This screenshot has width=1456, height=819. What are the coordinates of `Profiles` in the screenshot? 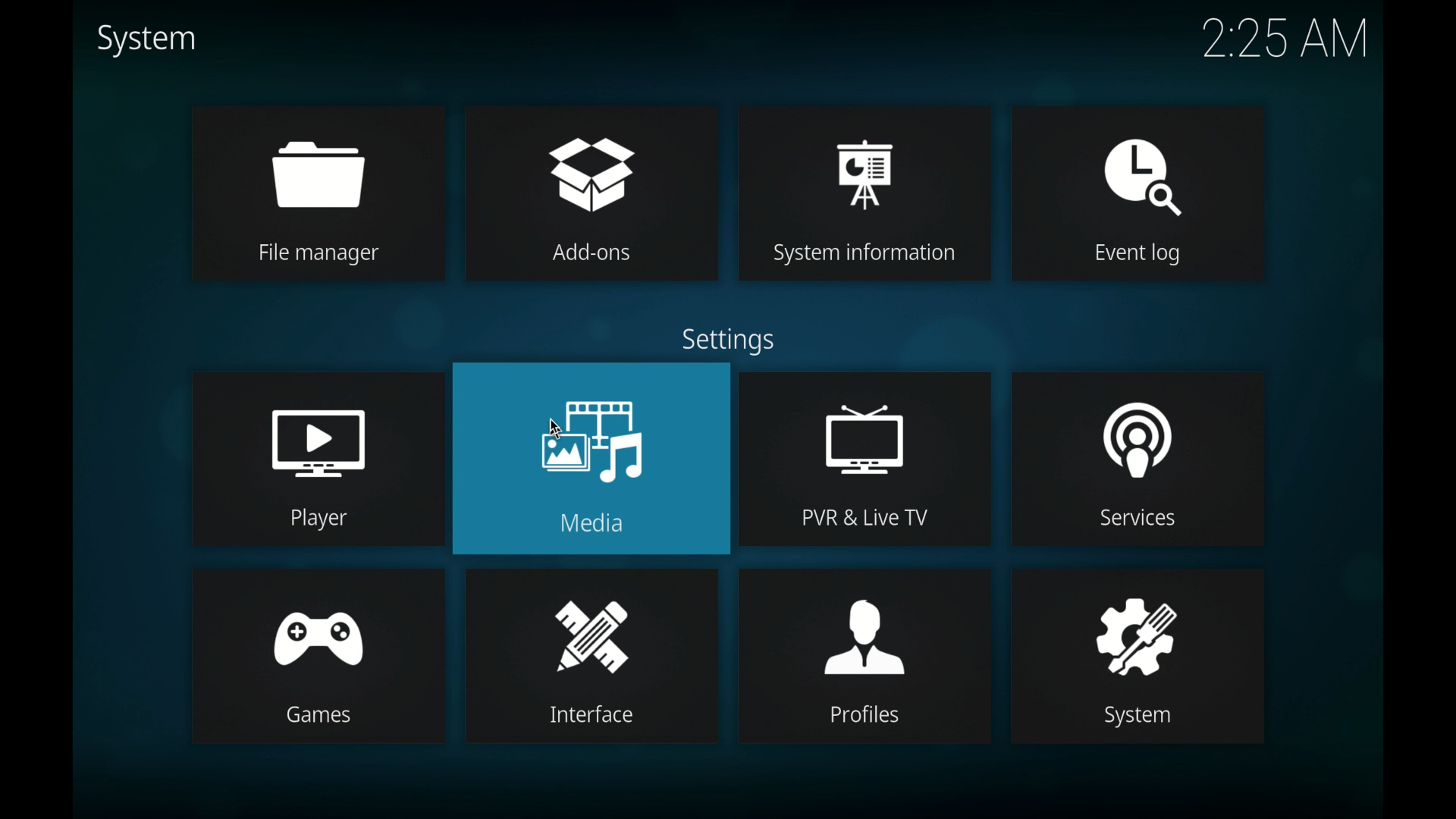 It's located at (861, 715).